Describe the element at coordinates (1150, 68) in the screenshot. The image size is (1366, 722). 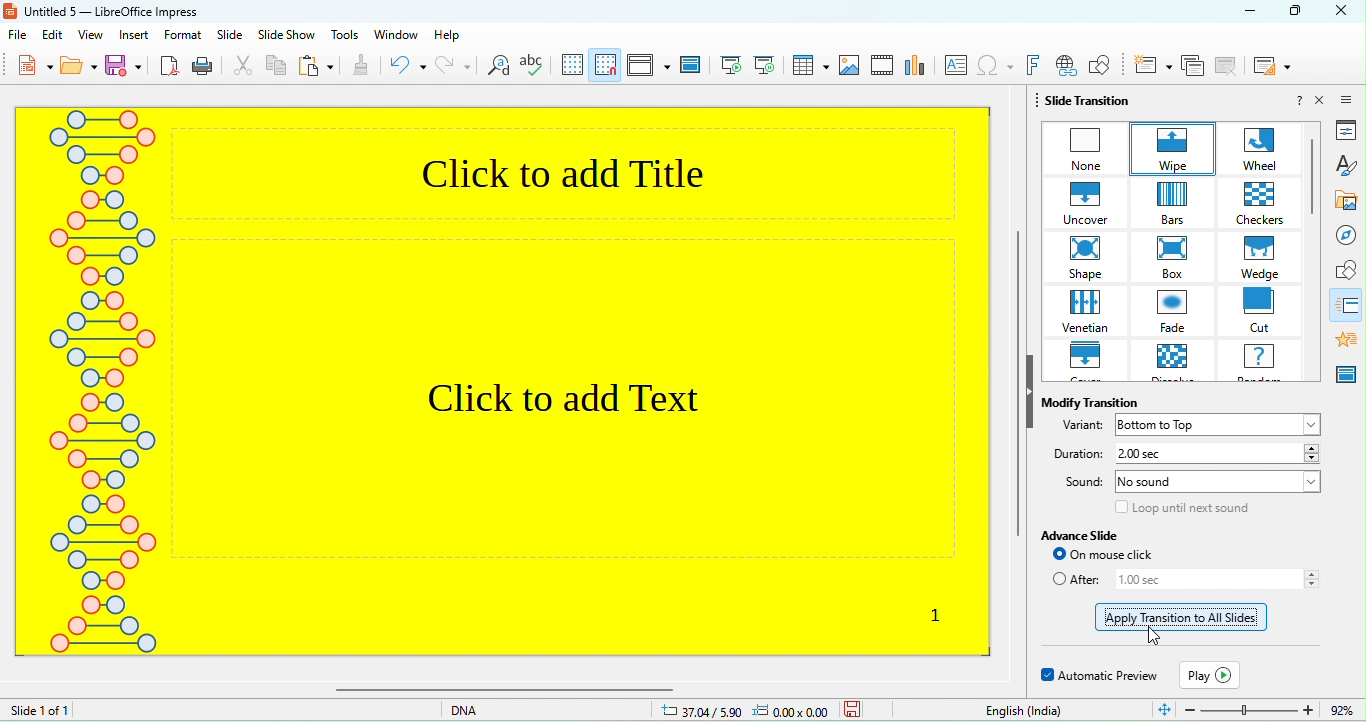
I see `new slide` at that location.